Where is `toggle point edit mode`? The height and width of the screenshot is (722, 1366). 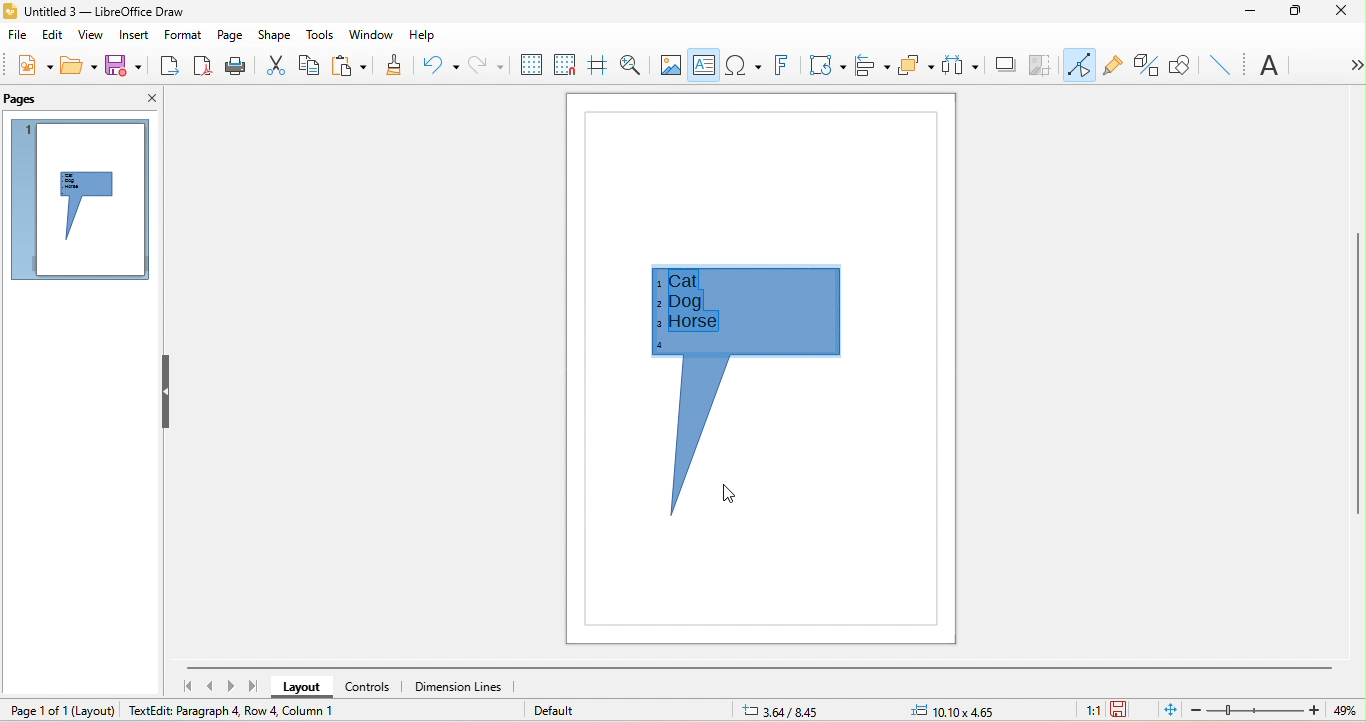 toggle point edit mode is located at coordinates (1079, 64).